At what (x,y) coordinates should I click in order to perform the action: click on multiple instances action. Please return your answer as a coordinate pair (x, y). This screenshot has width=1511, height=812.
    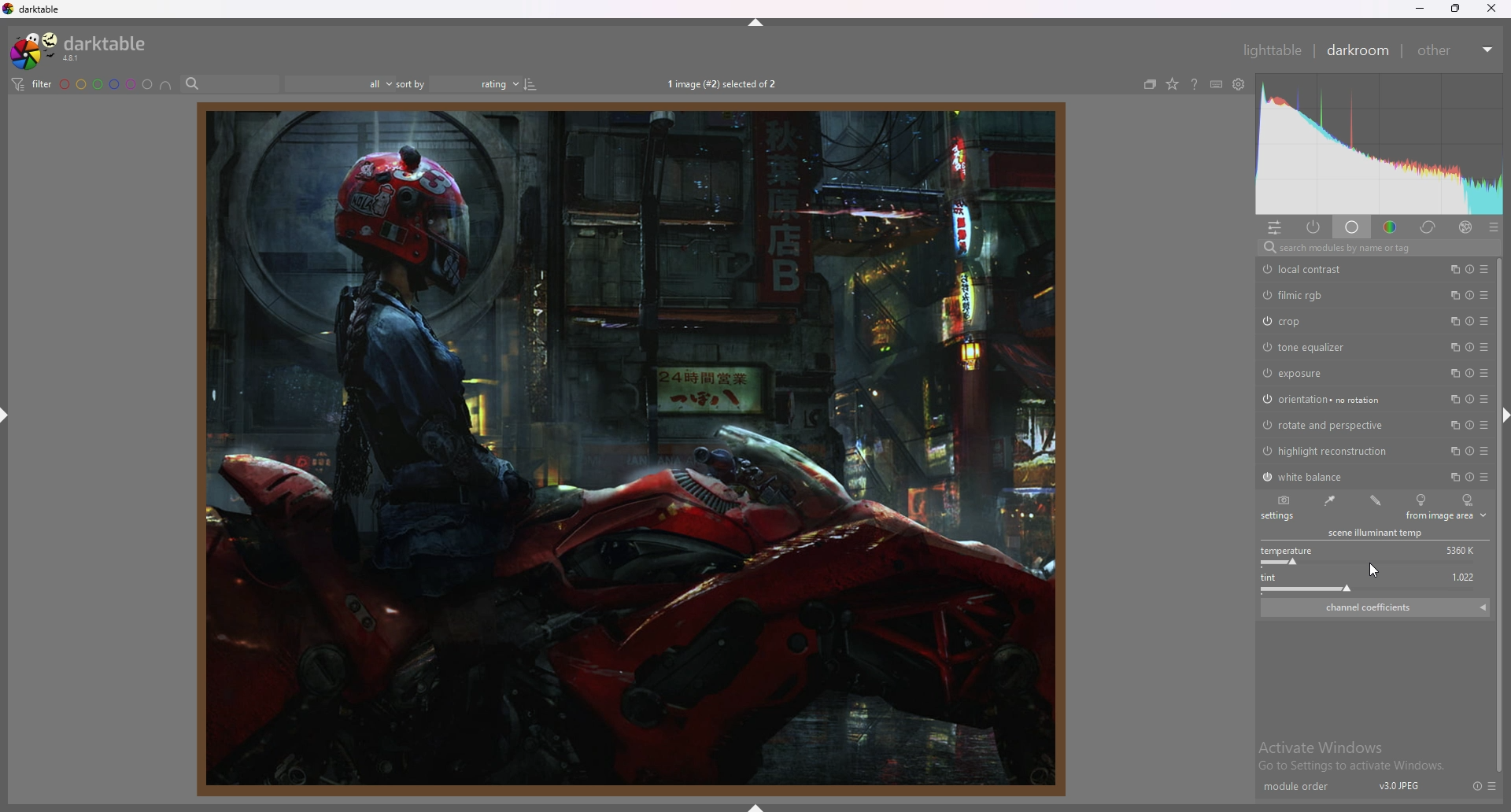
    Looking at the image, I should click on (1450, 374).